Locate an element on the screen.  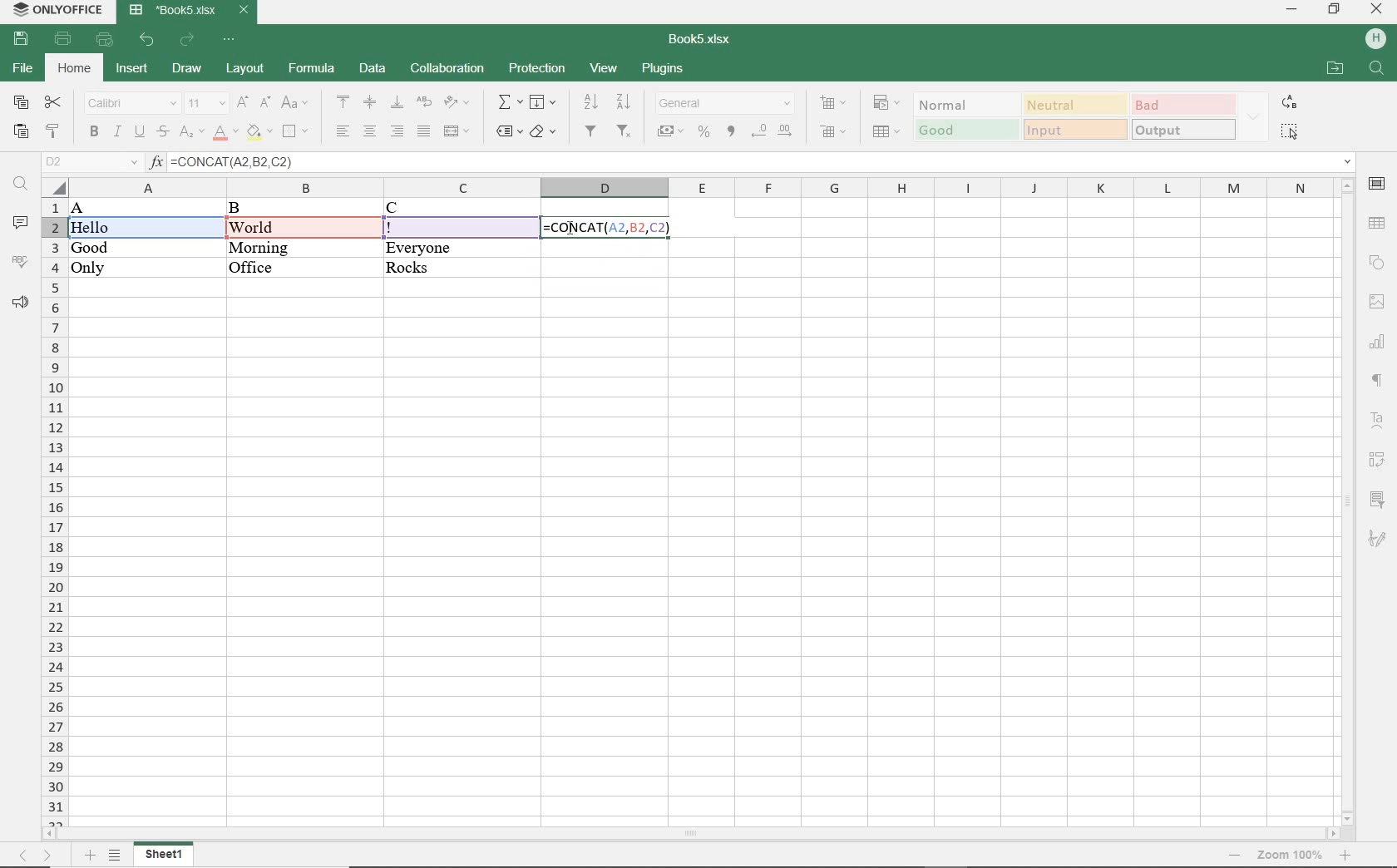
TEXT ART is located at coordinates (1377, 418).